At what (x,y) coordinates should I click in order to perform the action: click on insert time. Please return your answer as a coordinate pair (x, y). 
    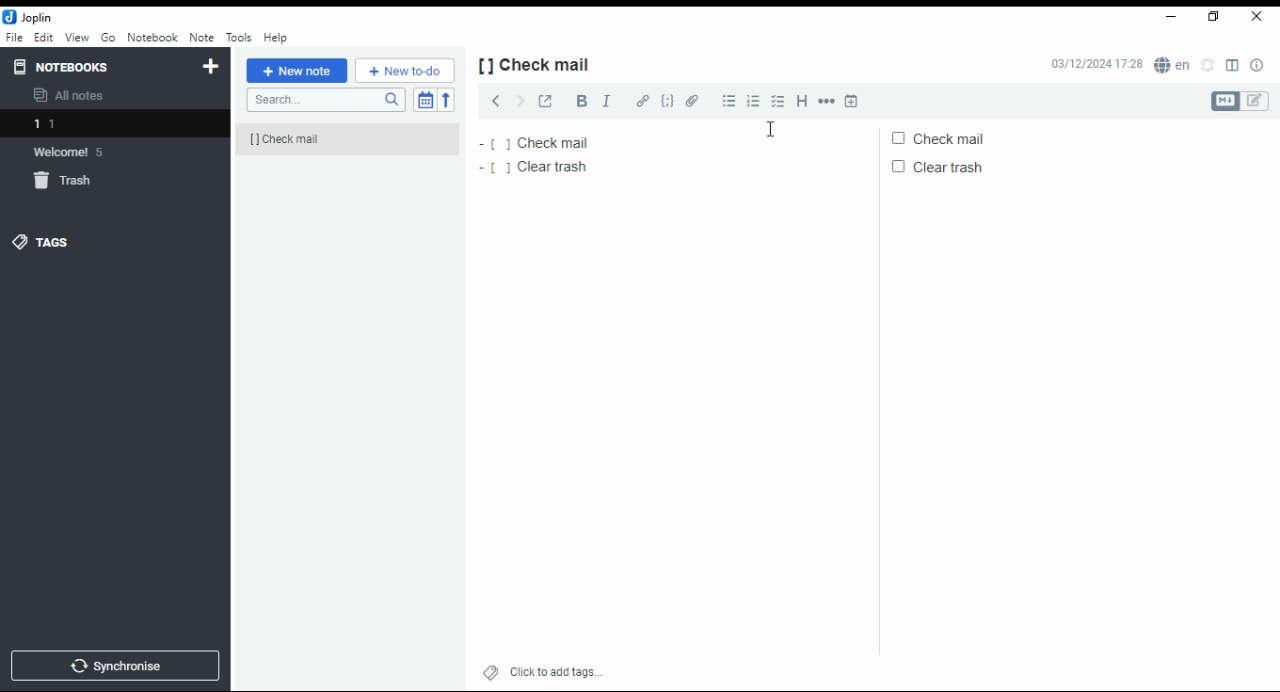
    Looking at the image, I should click on (852, 101).